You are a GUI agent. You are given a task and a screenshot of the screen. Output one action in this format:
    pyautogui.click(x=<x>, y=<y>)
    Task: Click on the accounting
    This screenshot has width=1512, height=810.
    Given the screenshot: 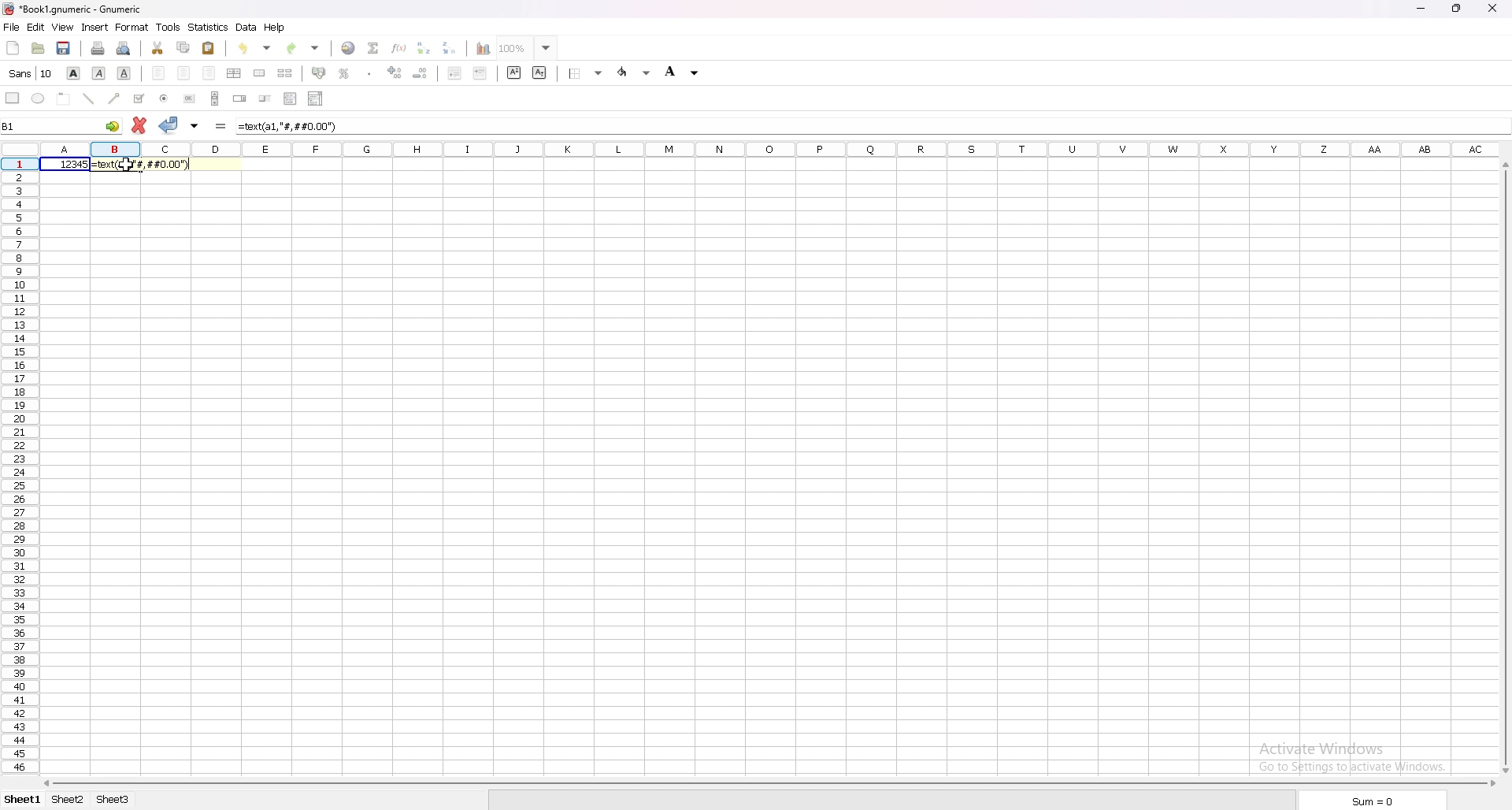 What is the action you would take?
    pyautogui.click(x=319, y=73)
    